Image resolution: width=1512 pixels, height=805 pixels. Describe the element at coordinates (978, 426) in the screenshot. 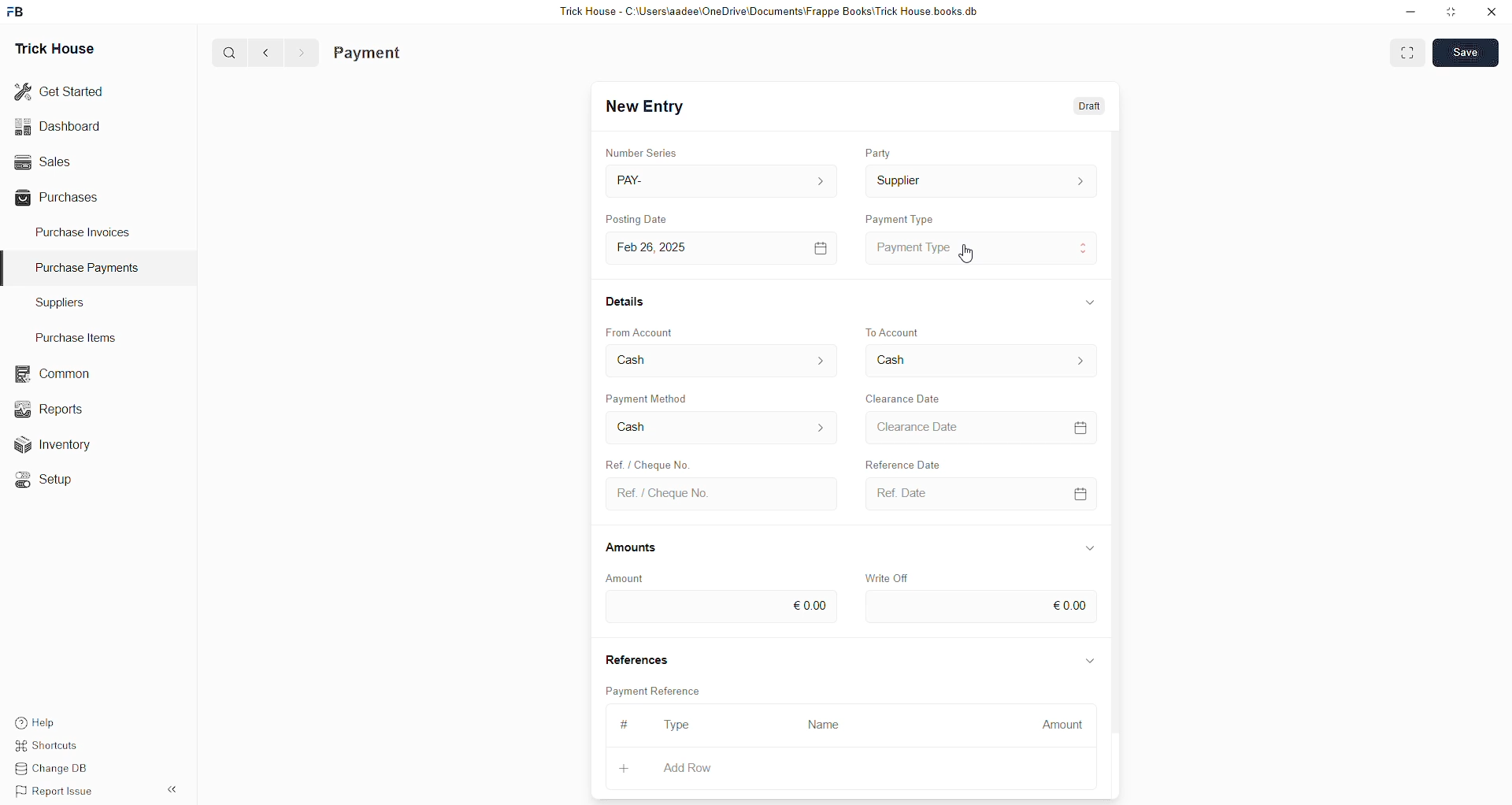

I see `Clearance Date ` at that location.